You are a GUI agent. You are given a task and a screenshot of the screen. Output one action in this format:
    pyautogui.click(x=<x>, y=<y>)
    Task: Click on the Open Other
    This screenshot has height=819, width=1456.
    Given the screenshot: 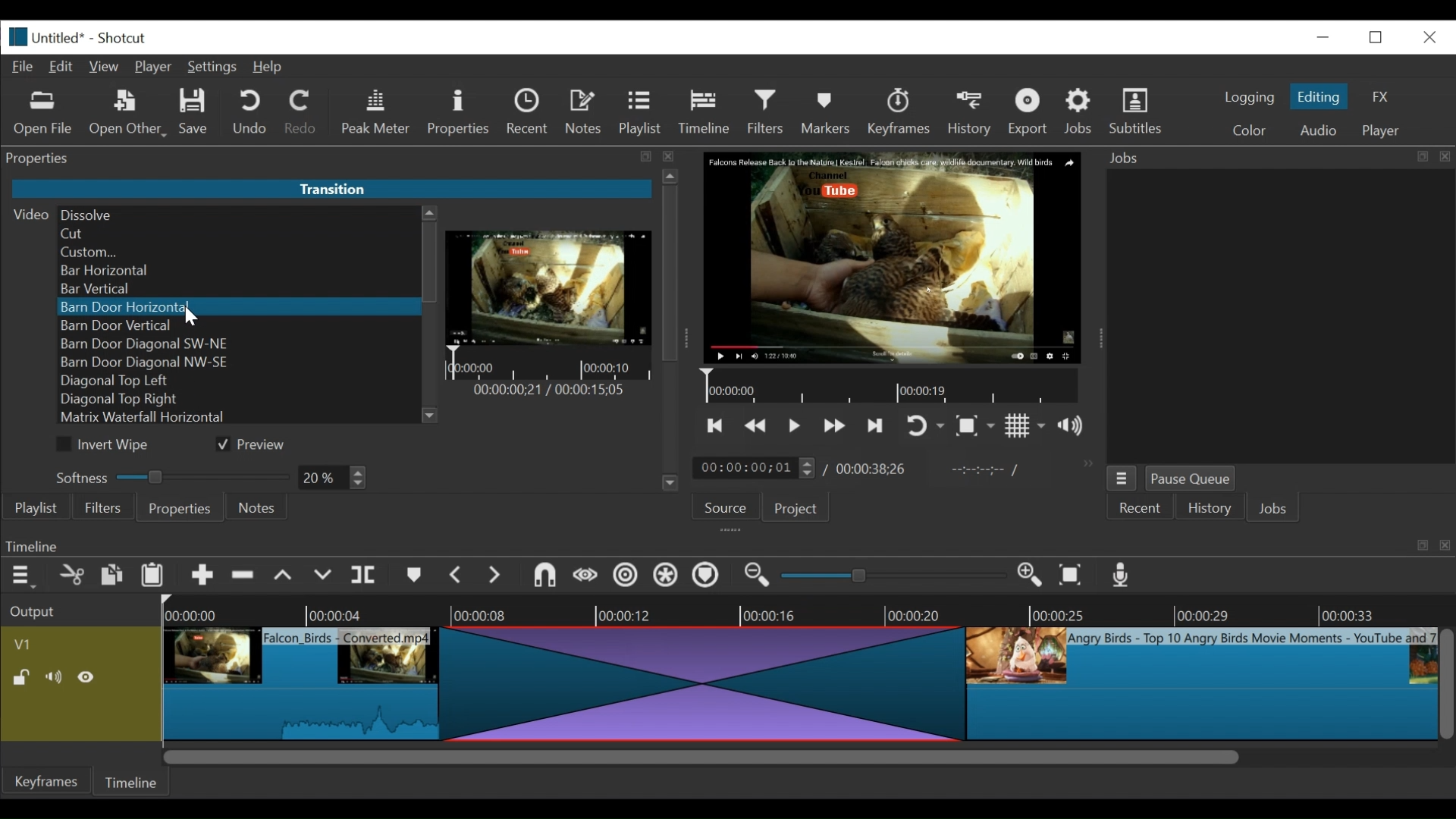 What is the action you would take?
    pyautogui.click(x=129, y=114)
    